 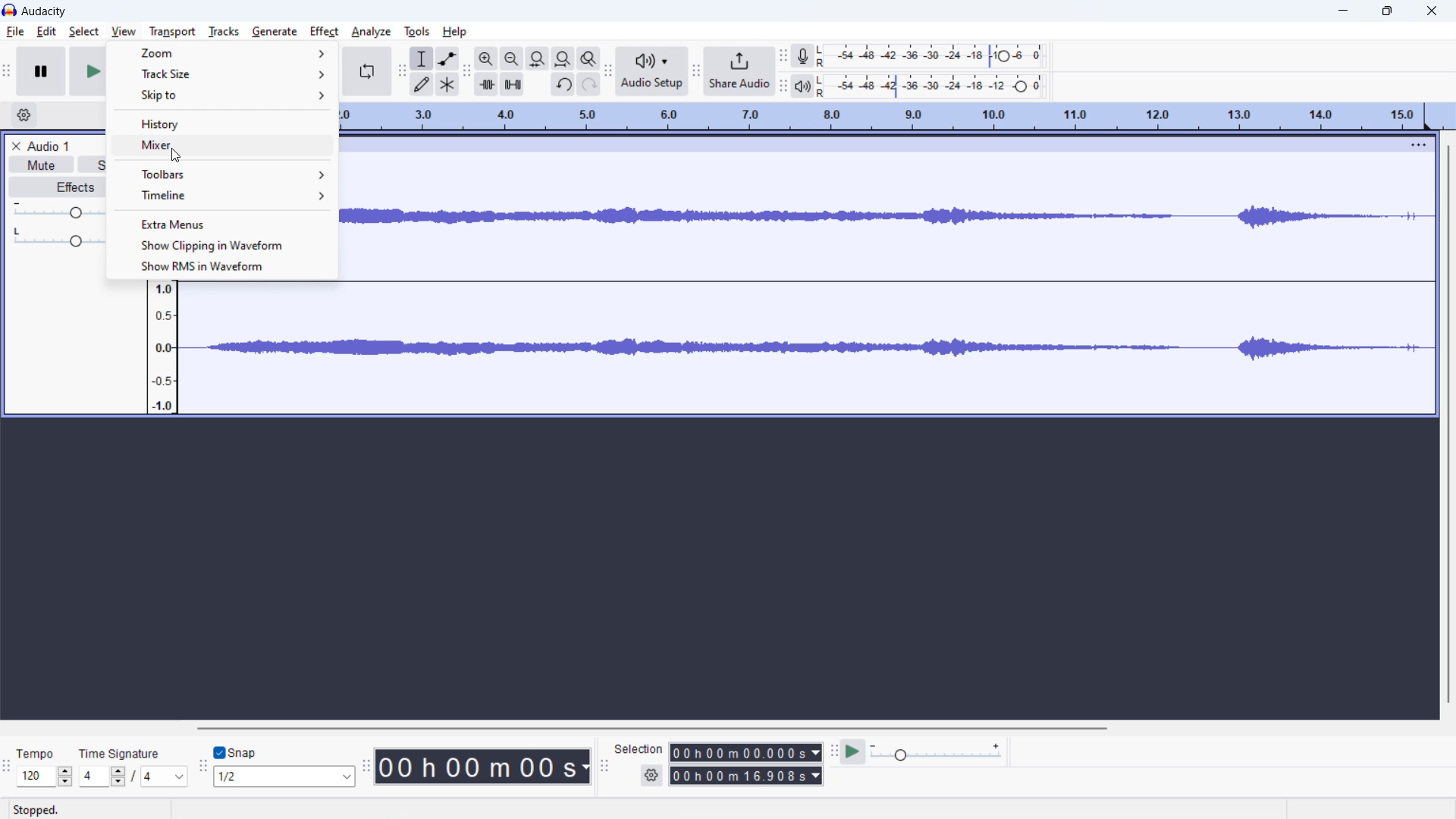 What do you see at coordinates (486, 84) in the screenshot?
I see `trim audio outside selection` at bounding box center [486, 84].